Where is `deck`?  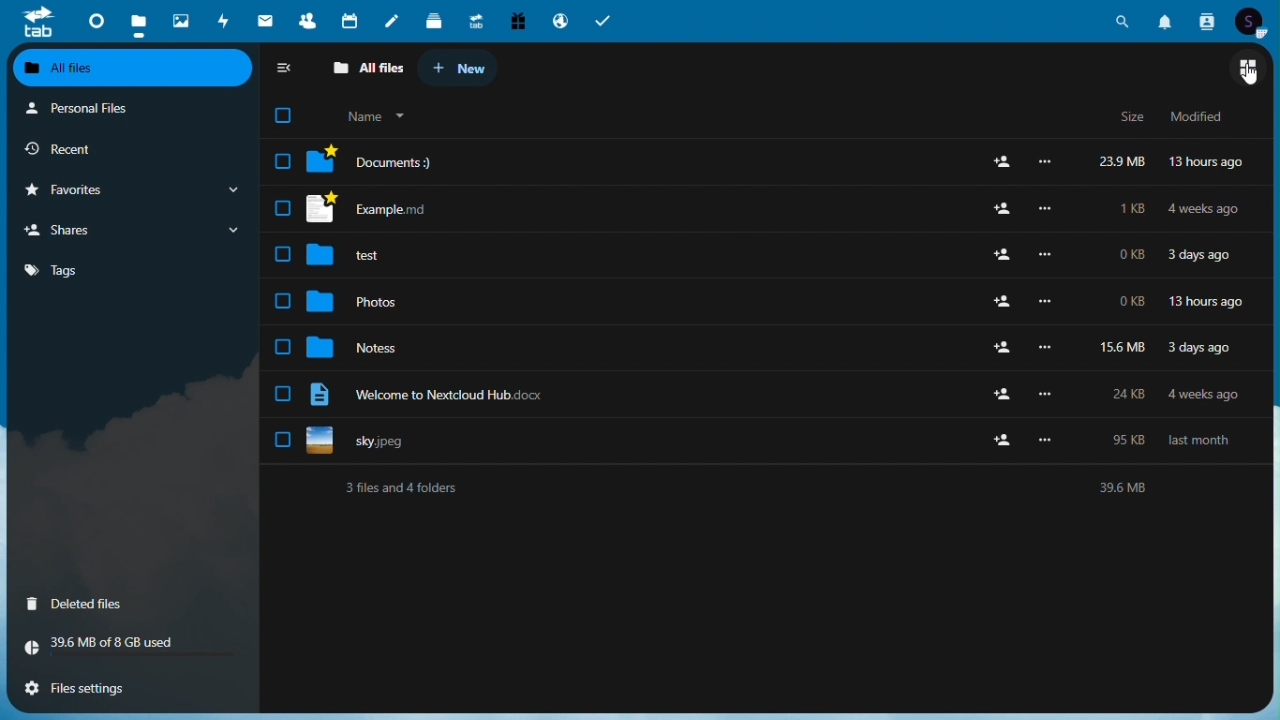 deck is located at coordinates (431, 20).